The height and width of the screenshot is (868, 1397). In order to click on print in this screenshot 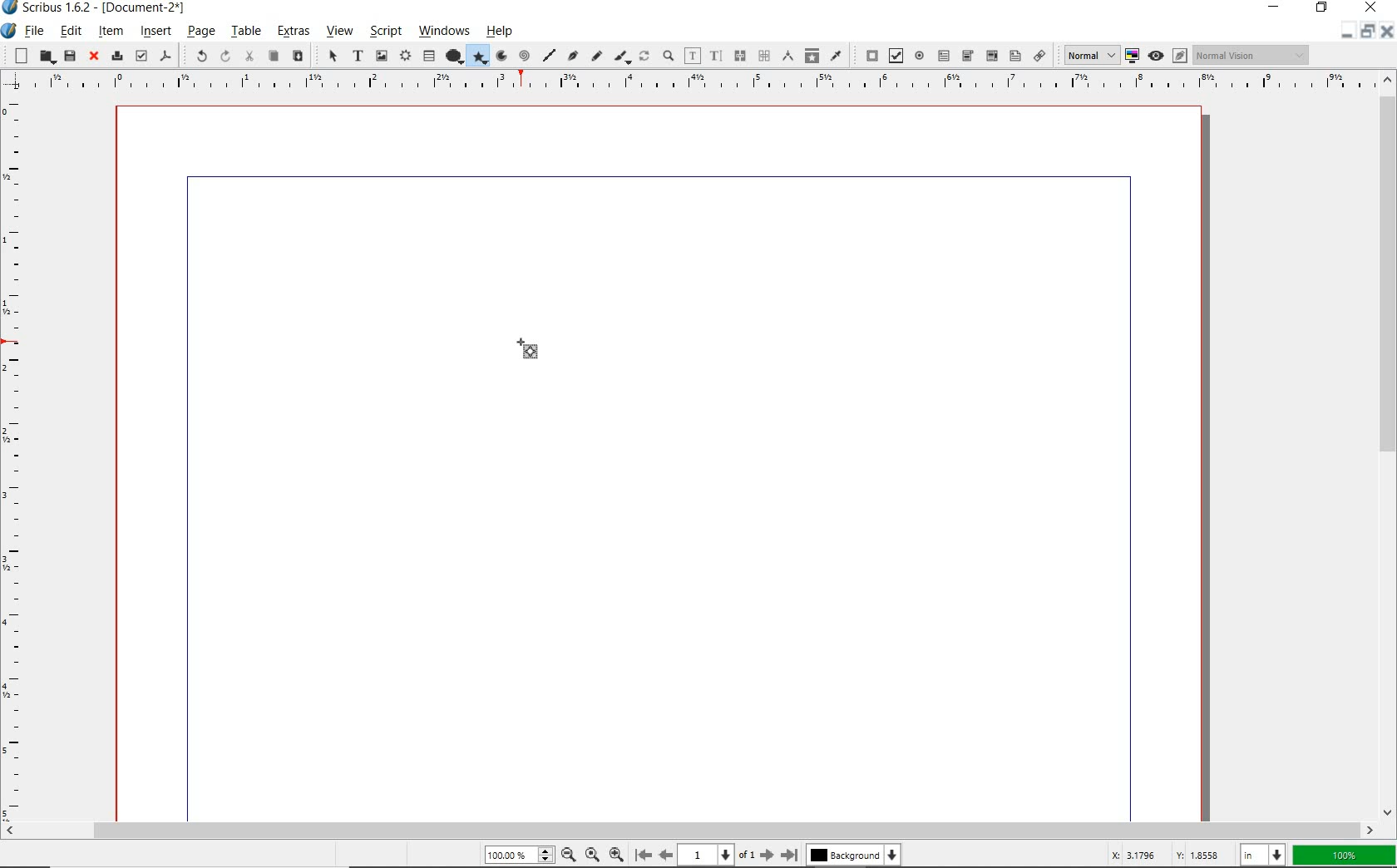, I will do `click(116, 56)`.